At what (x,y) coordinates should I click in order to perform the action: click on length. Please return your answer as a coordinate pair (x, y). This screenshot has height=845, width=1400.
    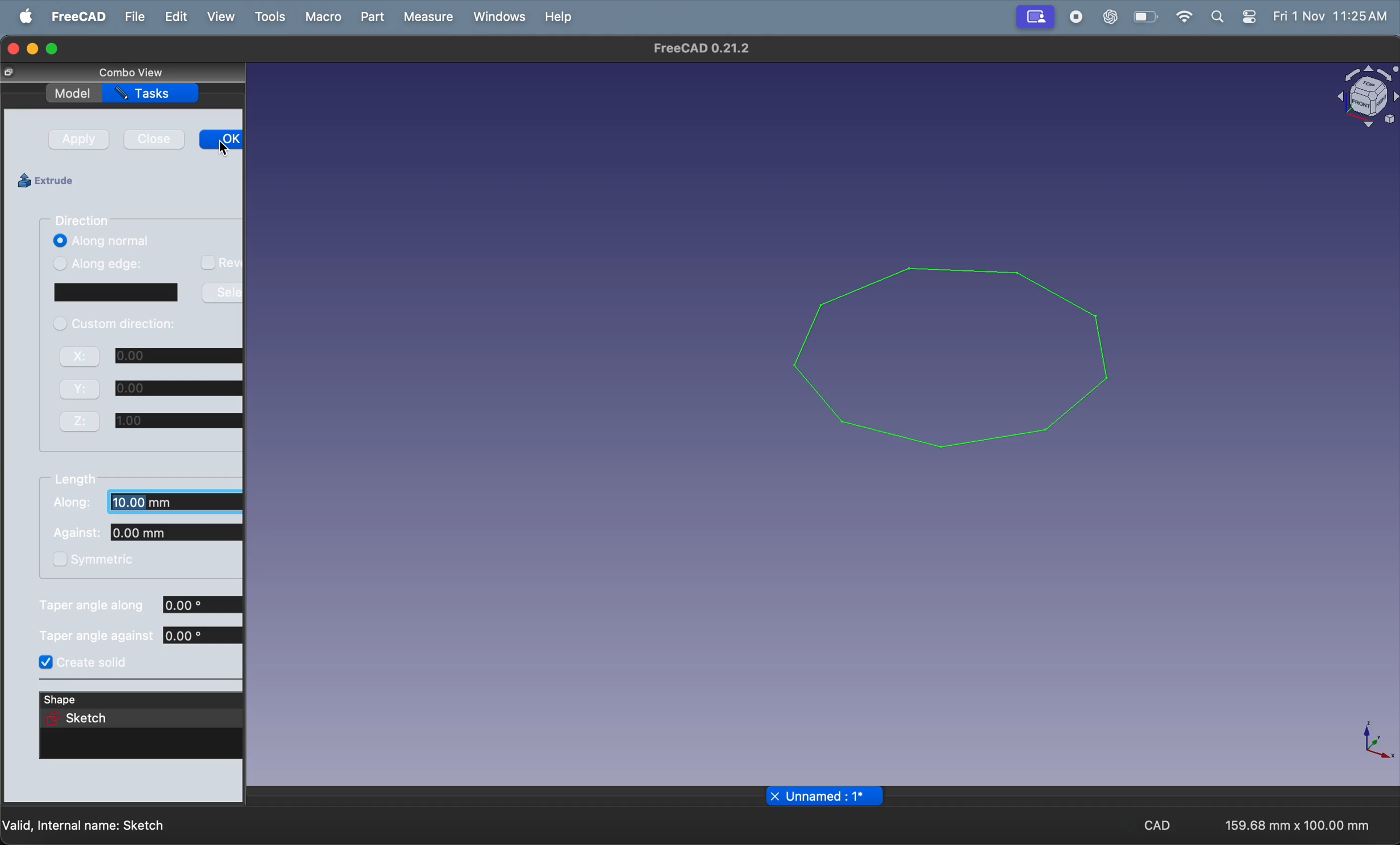
    Looking at the image, I should click on (82, 480).